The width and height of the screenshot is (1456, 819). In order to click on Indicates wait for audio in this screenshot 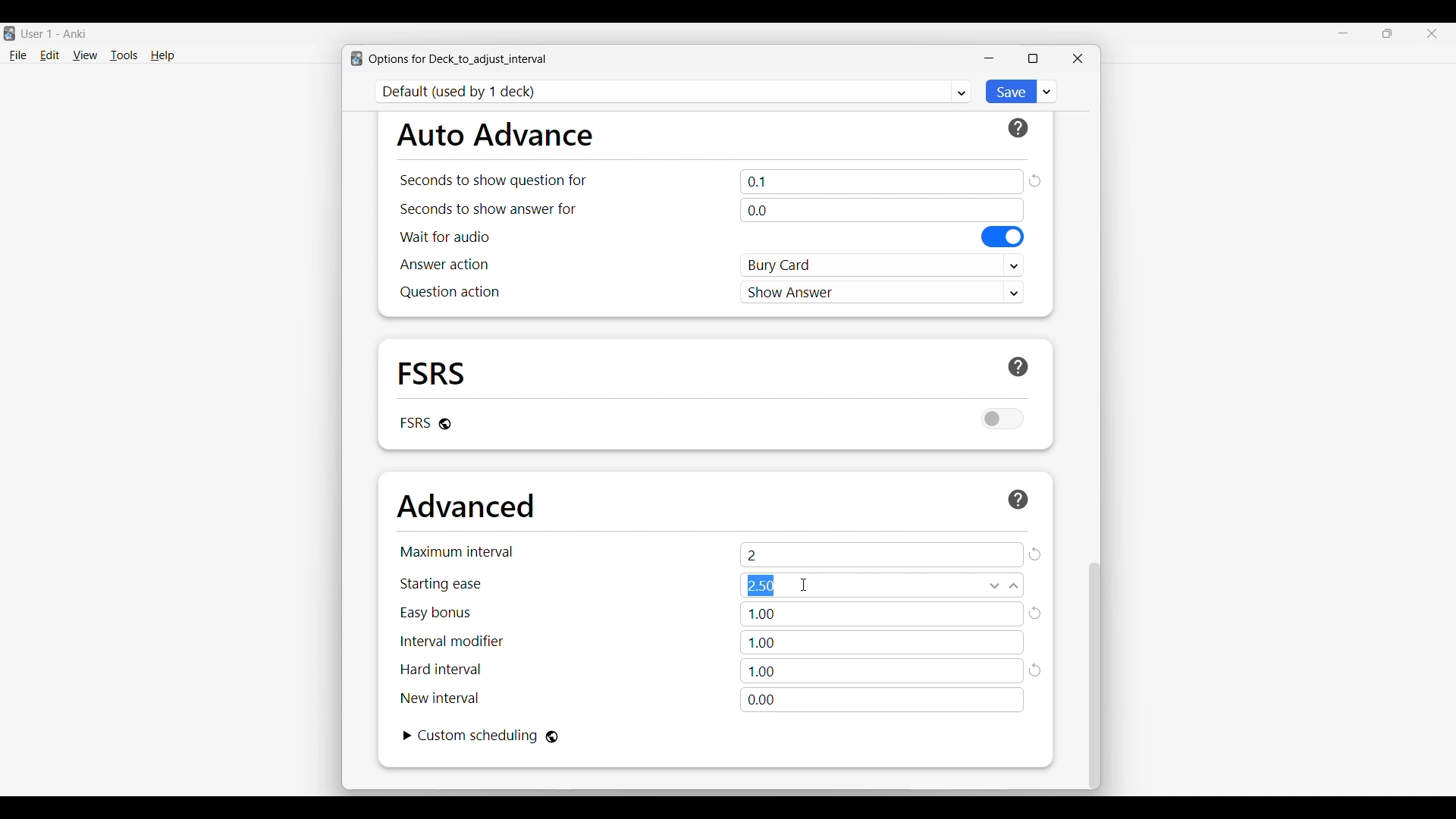, I will do `click(445, 237)`.